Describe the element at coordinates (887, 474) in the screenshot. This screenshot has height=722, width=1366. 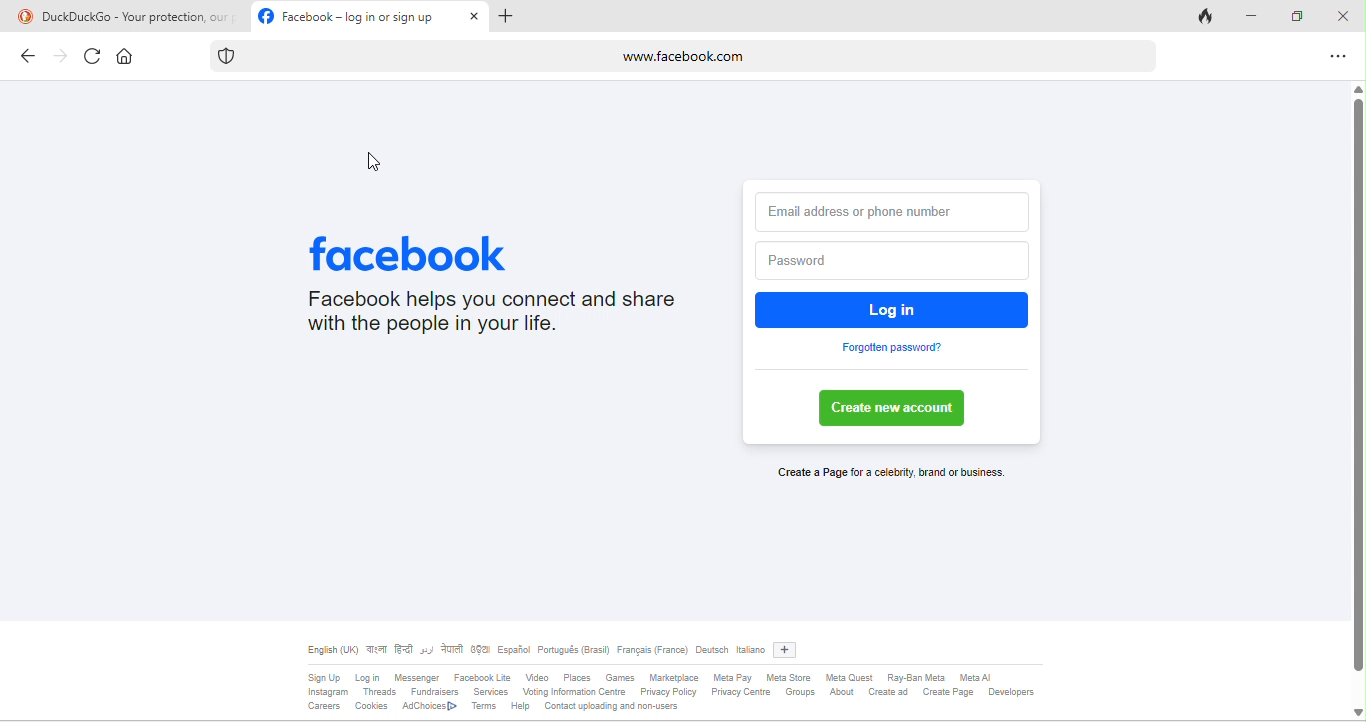
I see `create a page for a celebrity brand or business` at that location.